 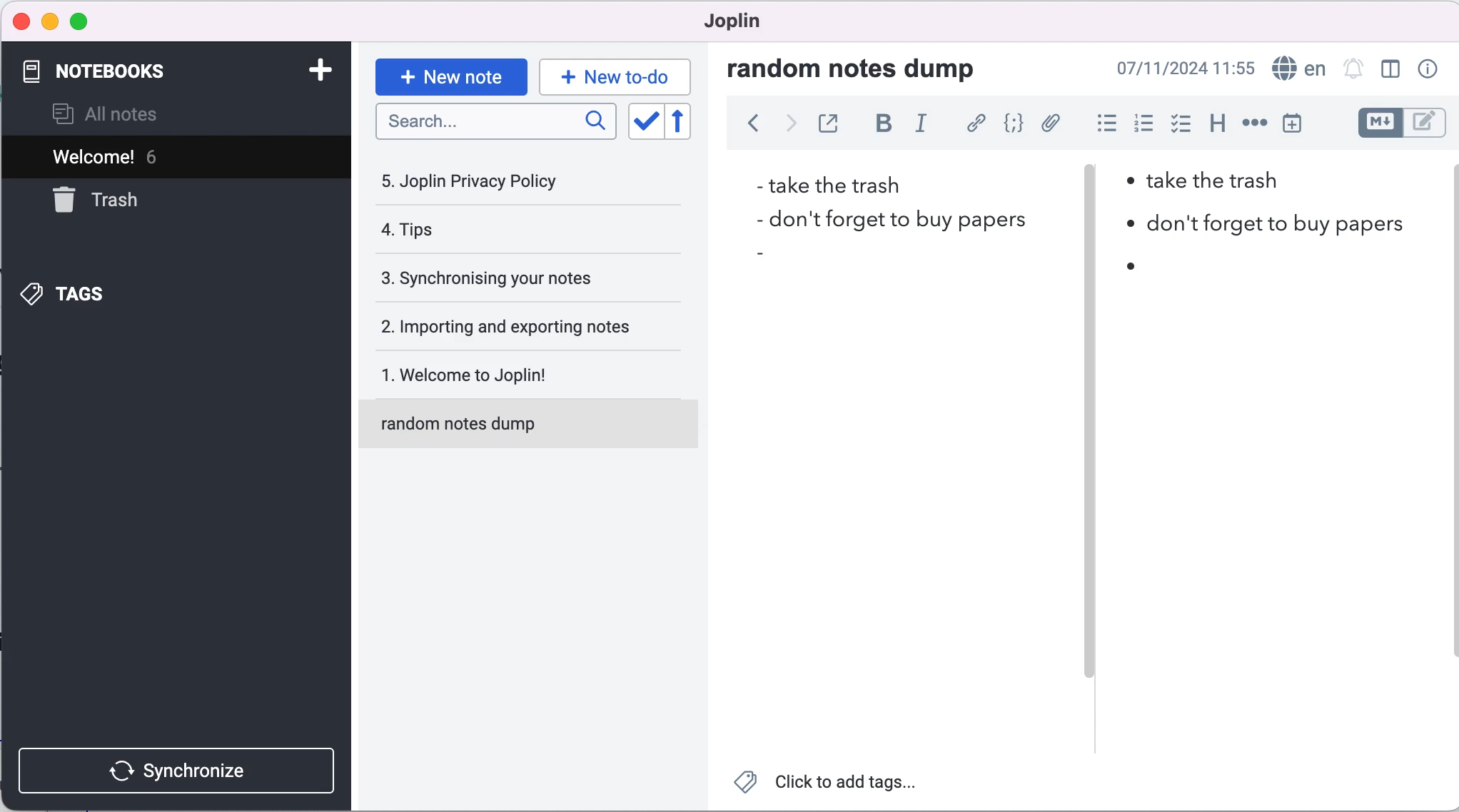 I want to click on back, so click(x=746, y=128).